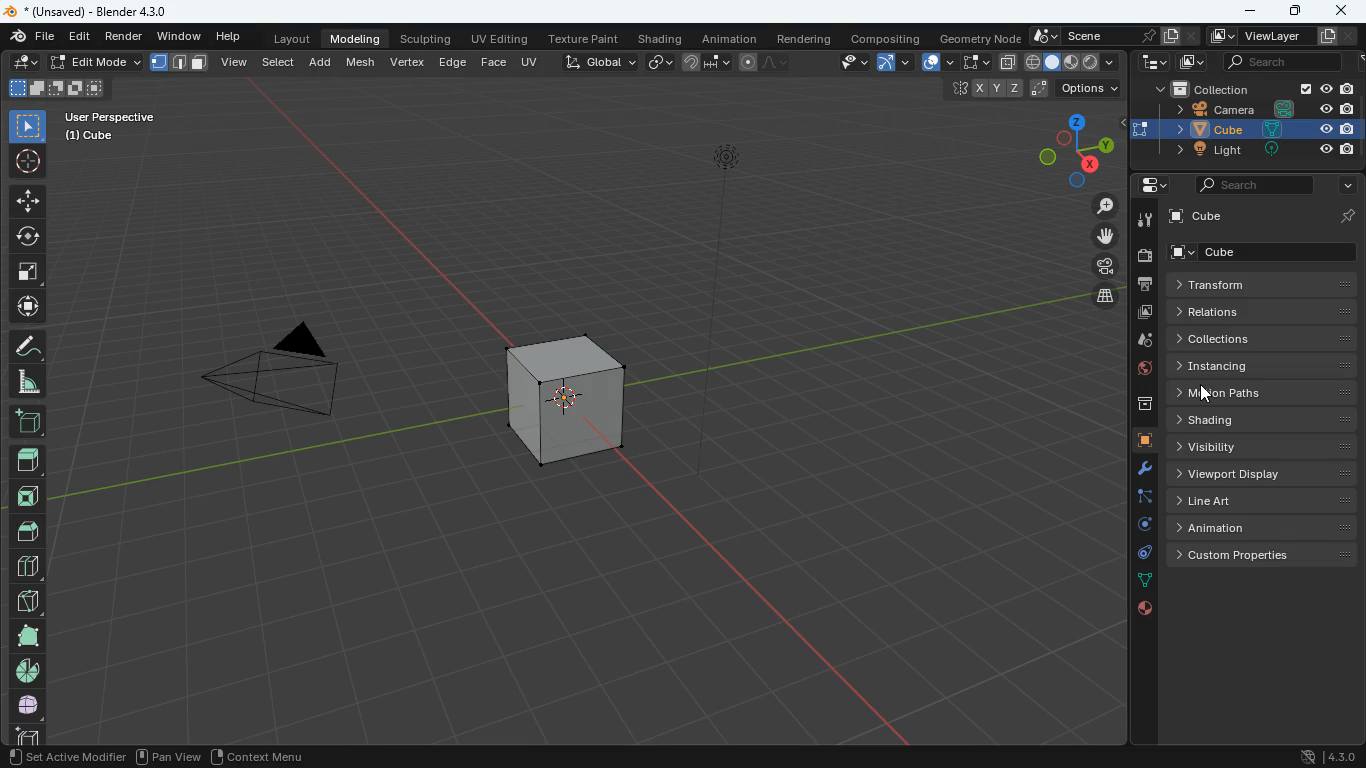 The image size is (1366, 768). I want to click on search, so click(1254, 184).